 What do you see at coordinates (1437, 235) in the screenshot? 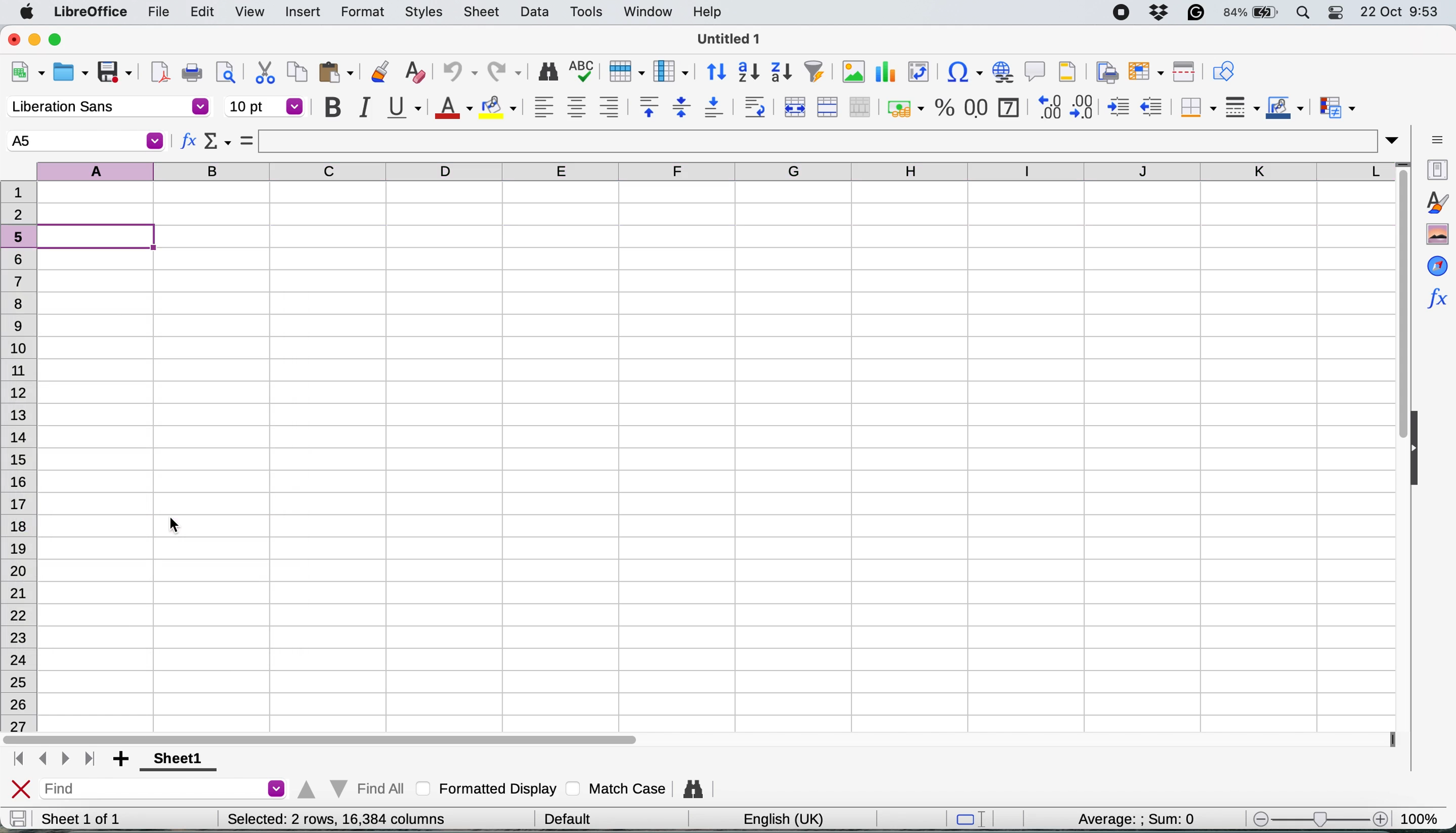
I see `gallery` at bounding box center [1437, 235].